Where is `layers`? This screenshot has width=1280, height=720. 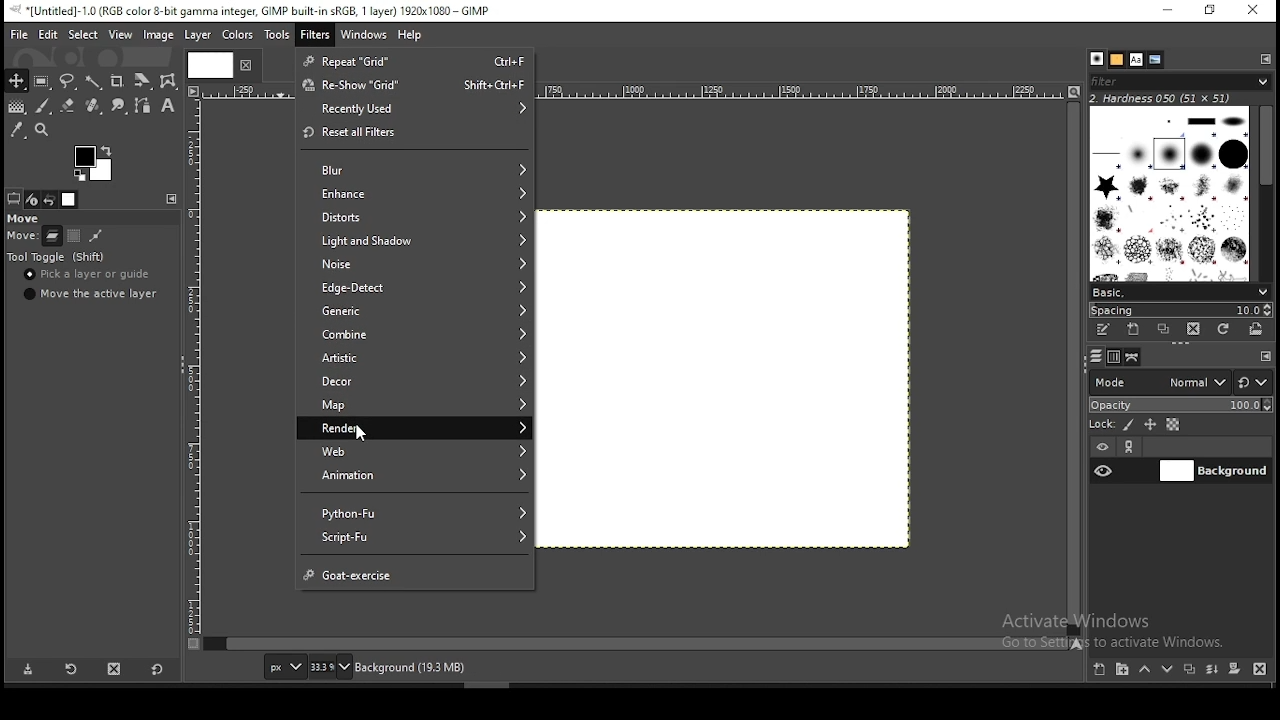
layers is located at coordinates (1097, 355).